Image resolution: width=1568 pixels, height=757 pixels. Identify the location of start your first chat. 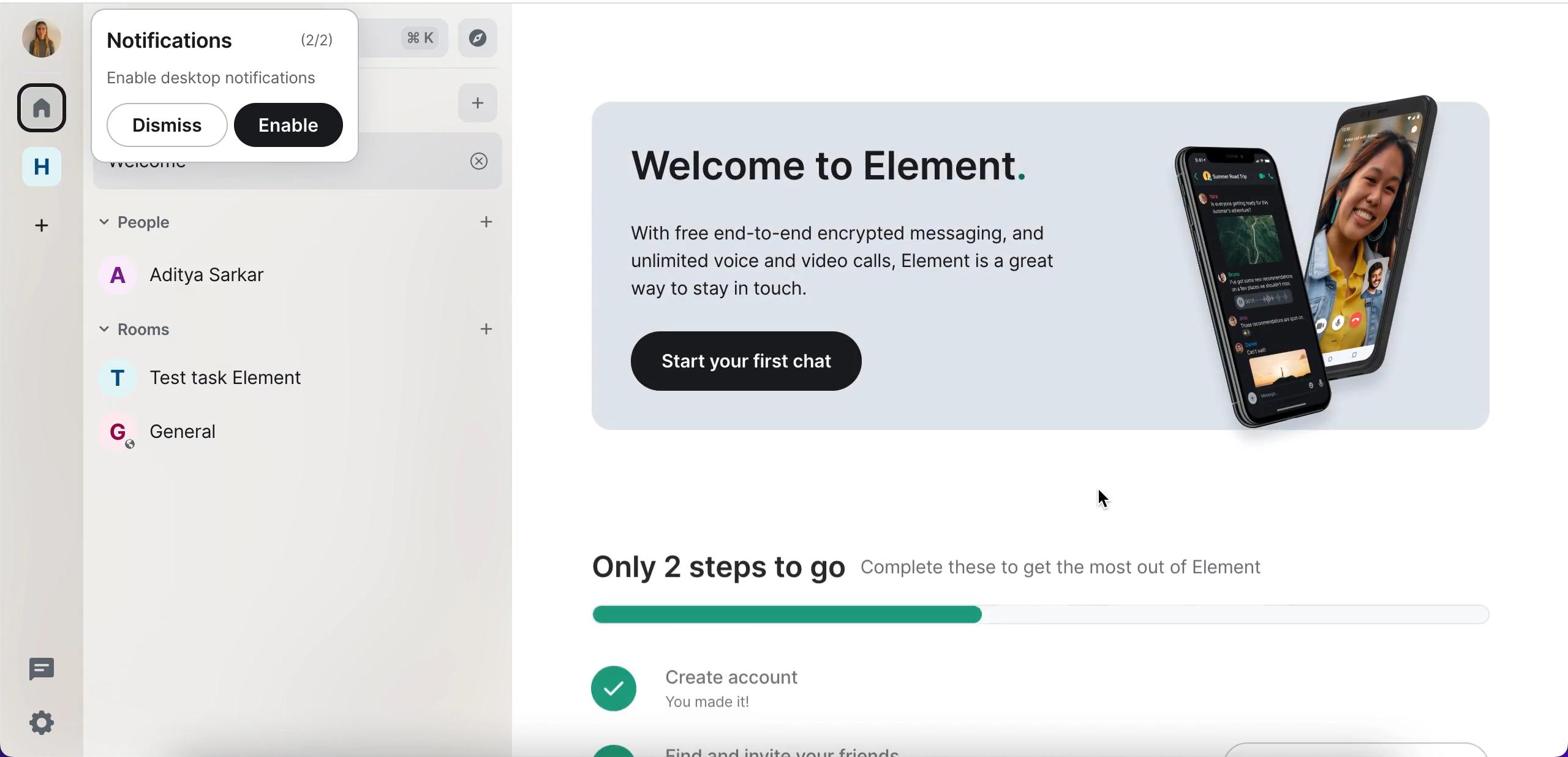
(752, 362).